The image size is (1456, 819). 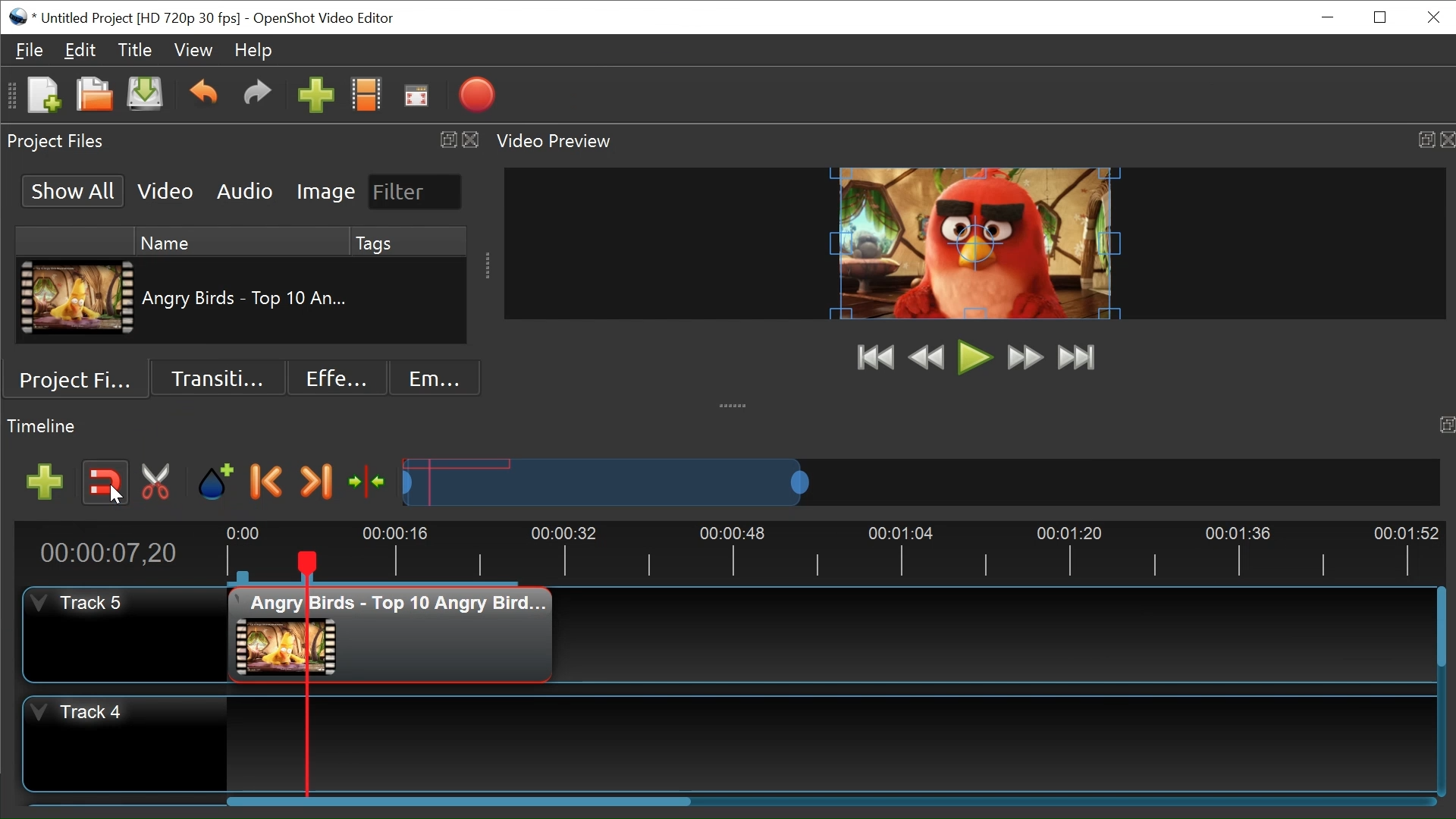 I want to click on Snap, so click(x=106, y=483).